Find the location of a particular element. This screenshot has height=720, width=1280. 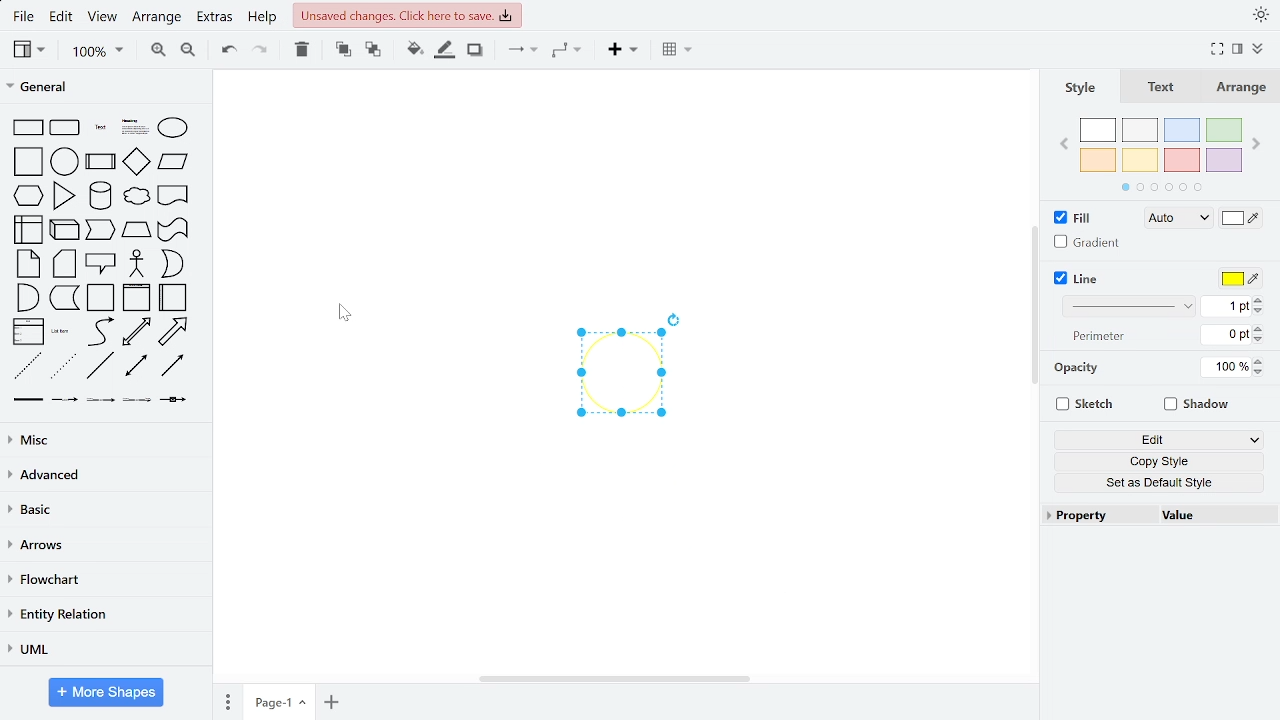

dashed line is located at coordinates (29, 366).